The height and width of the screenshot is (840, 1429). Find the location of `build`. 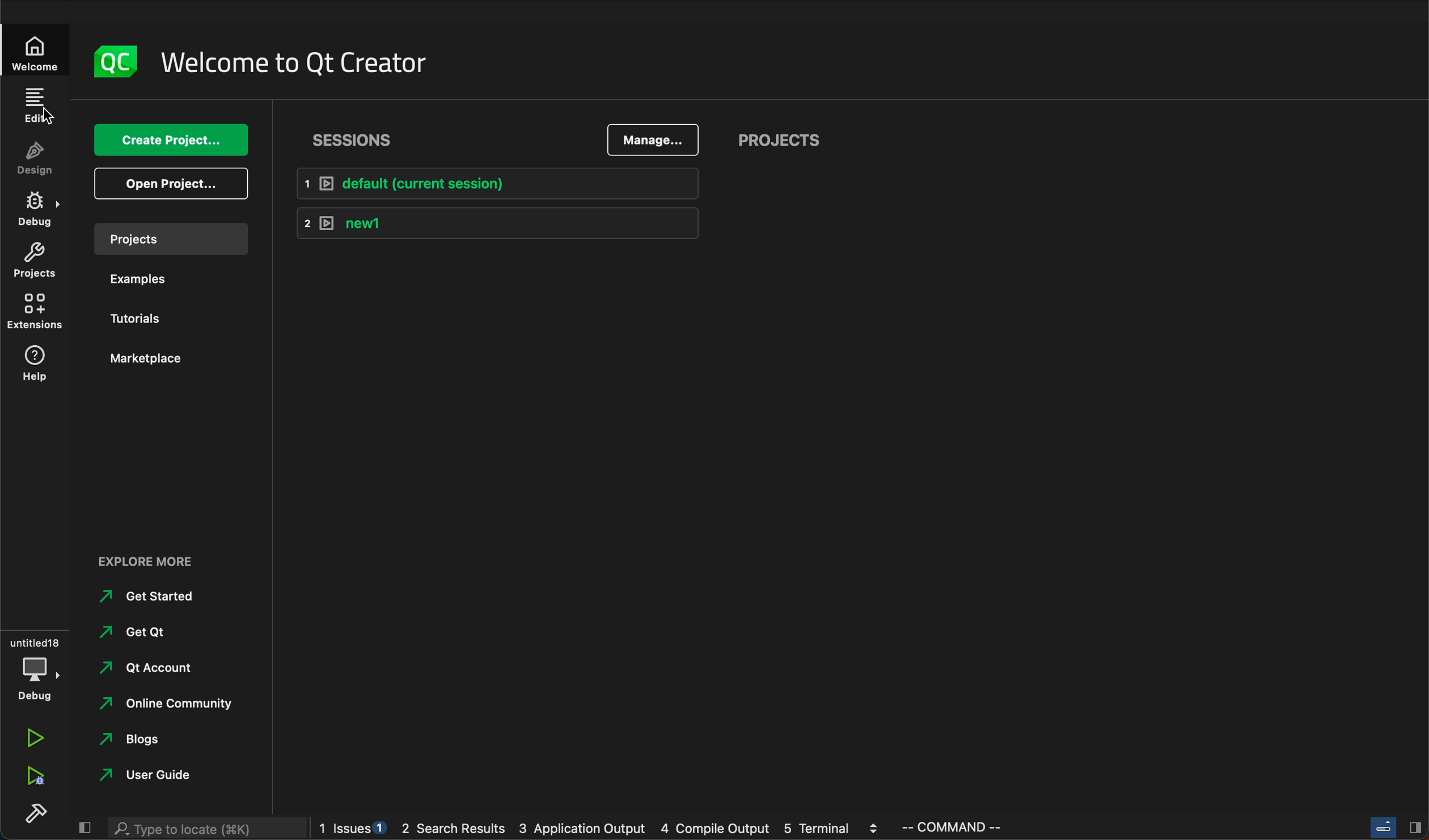

build is located at coordinates (33, 812).